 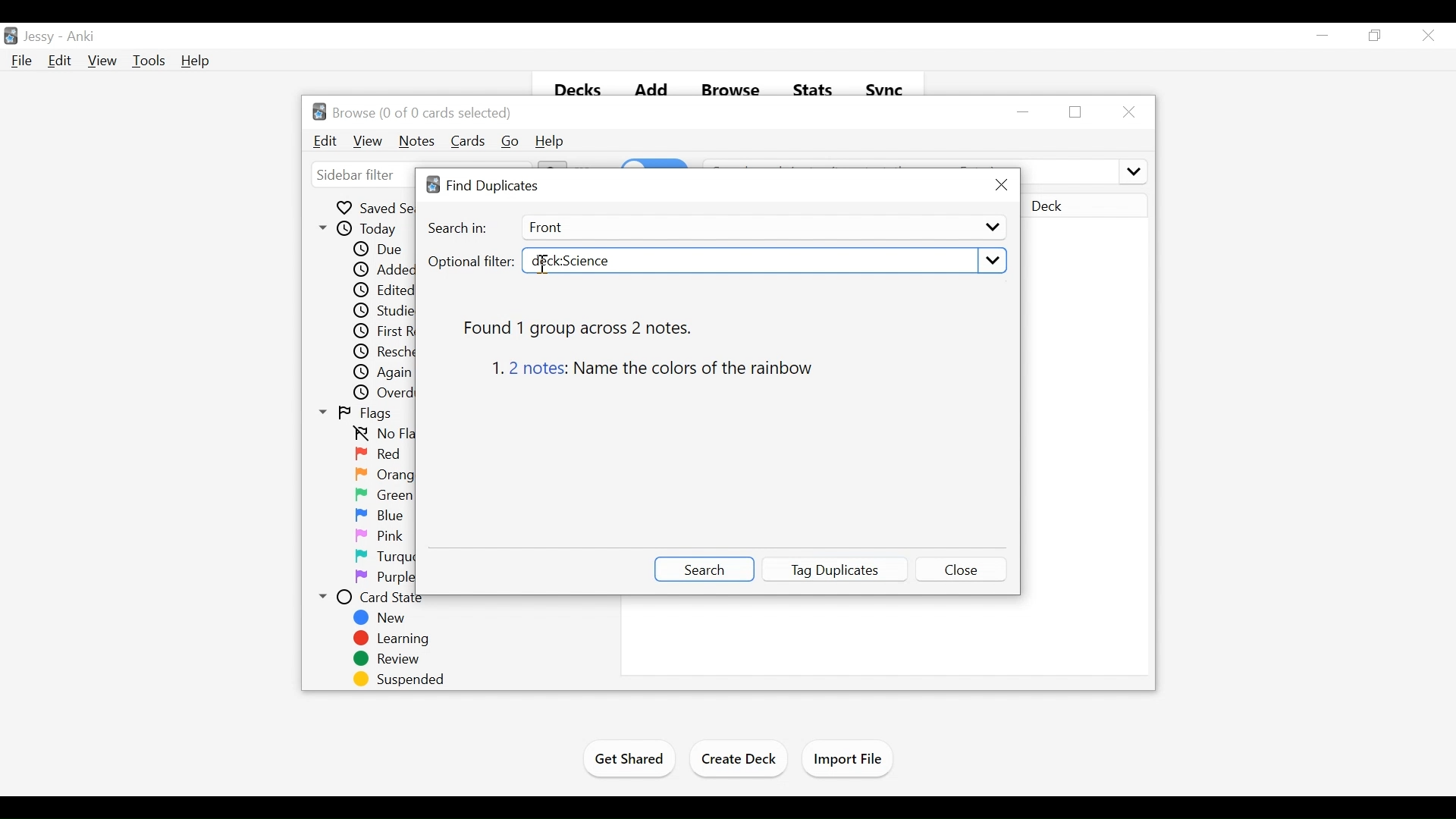 What do you see at coordinates (21, 60) in the screenshot?
I see `File` at bounding box center [21, 60].